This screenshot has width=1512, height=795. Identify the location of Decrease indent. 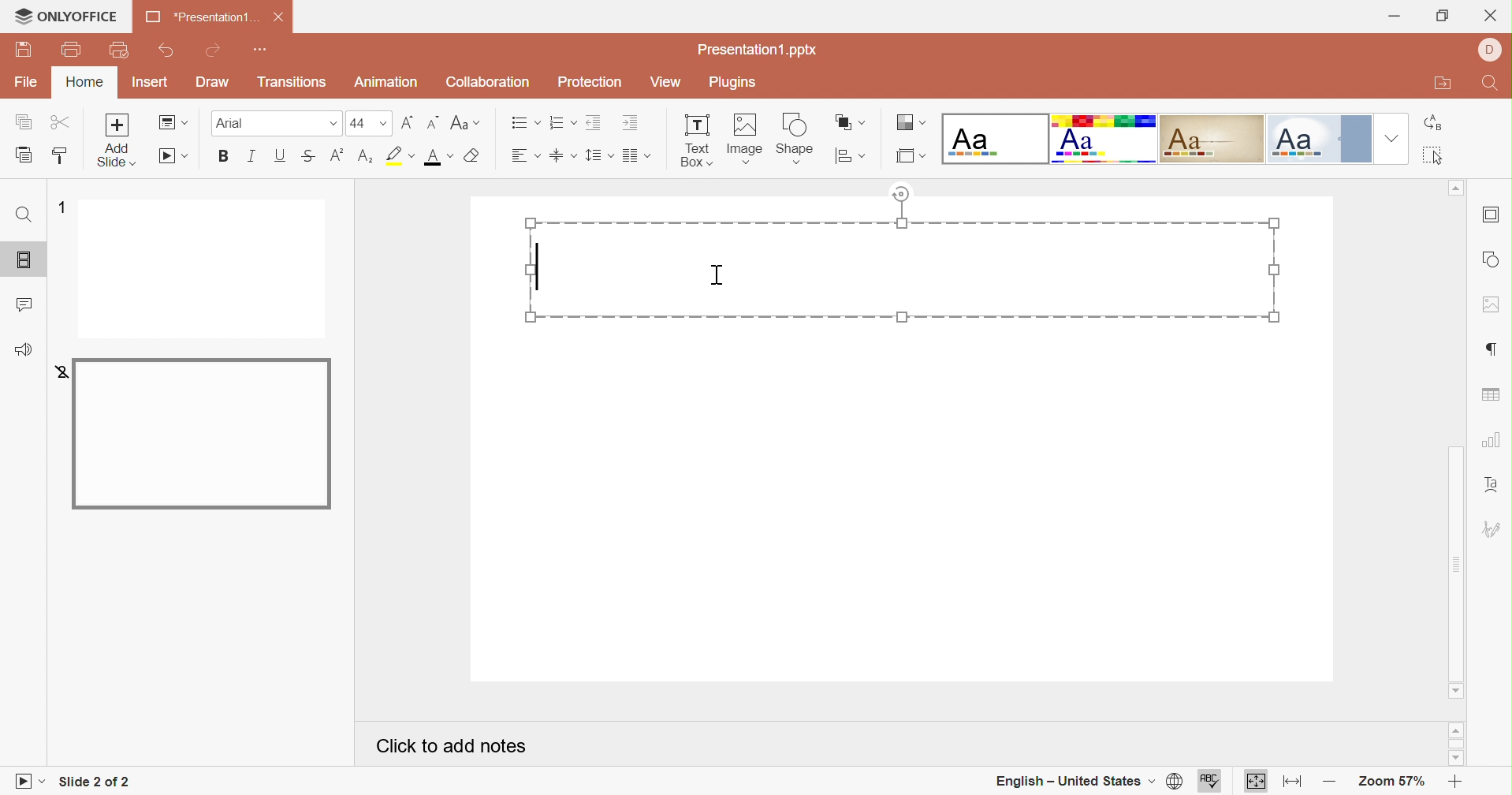
(594, 121).